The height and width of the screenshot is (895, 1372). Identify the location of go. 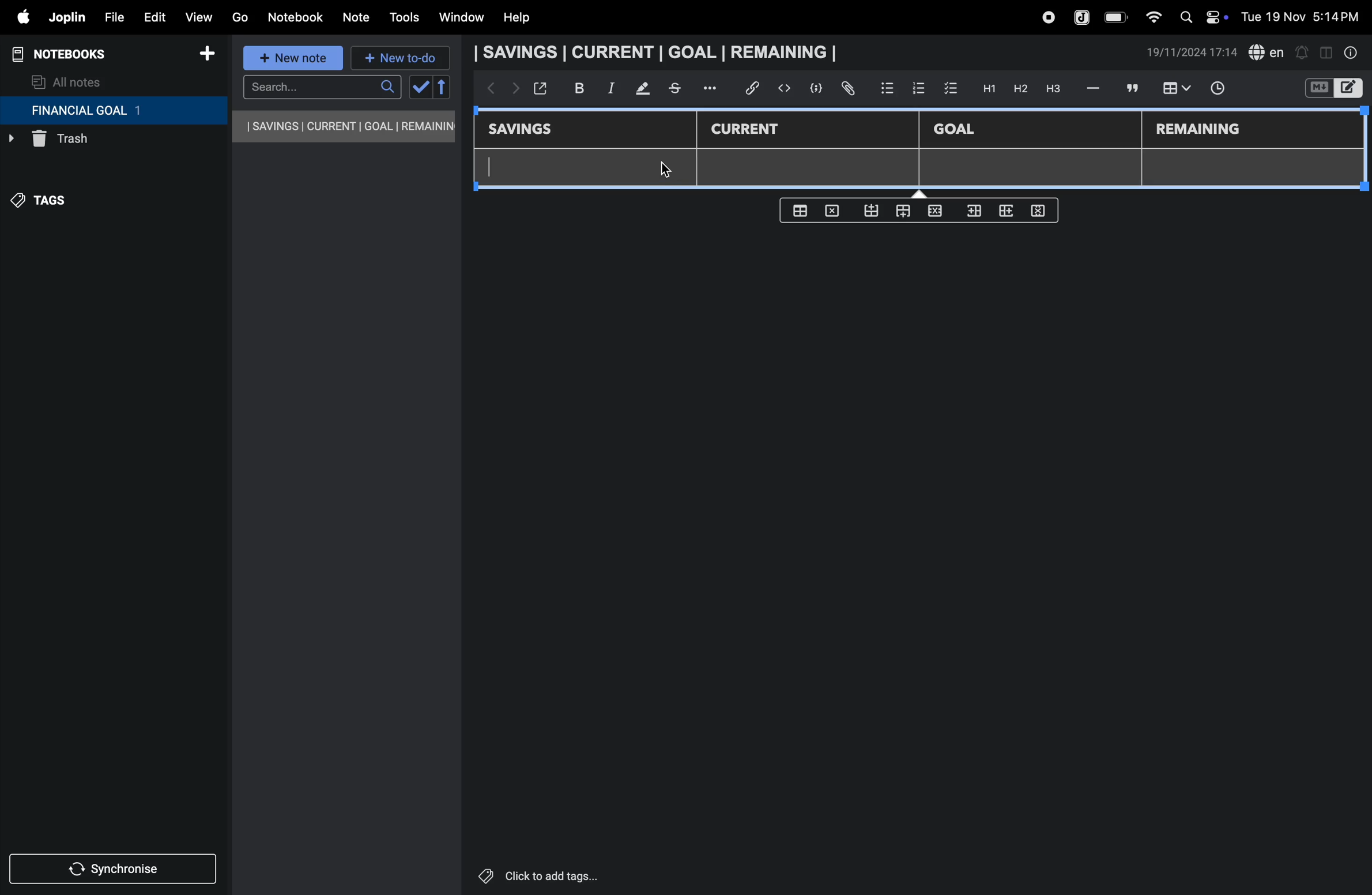
(240, 16).